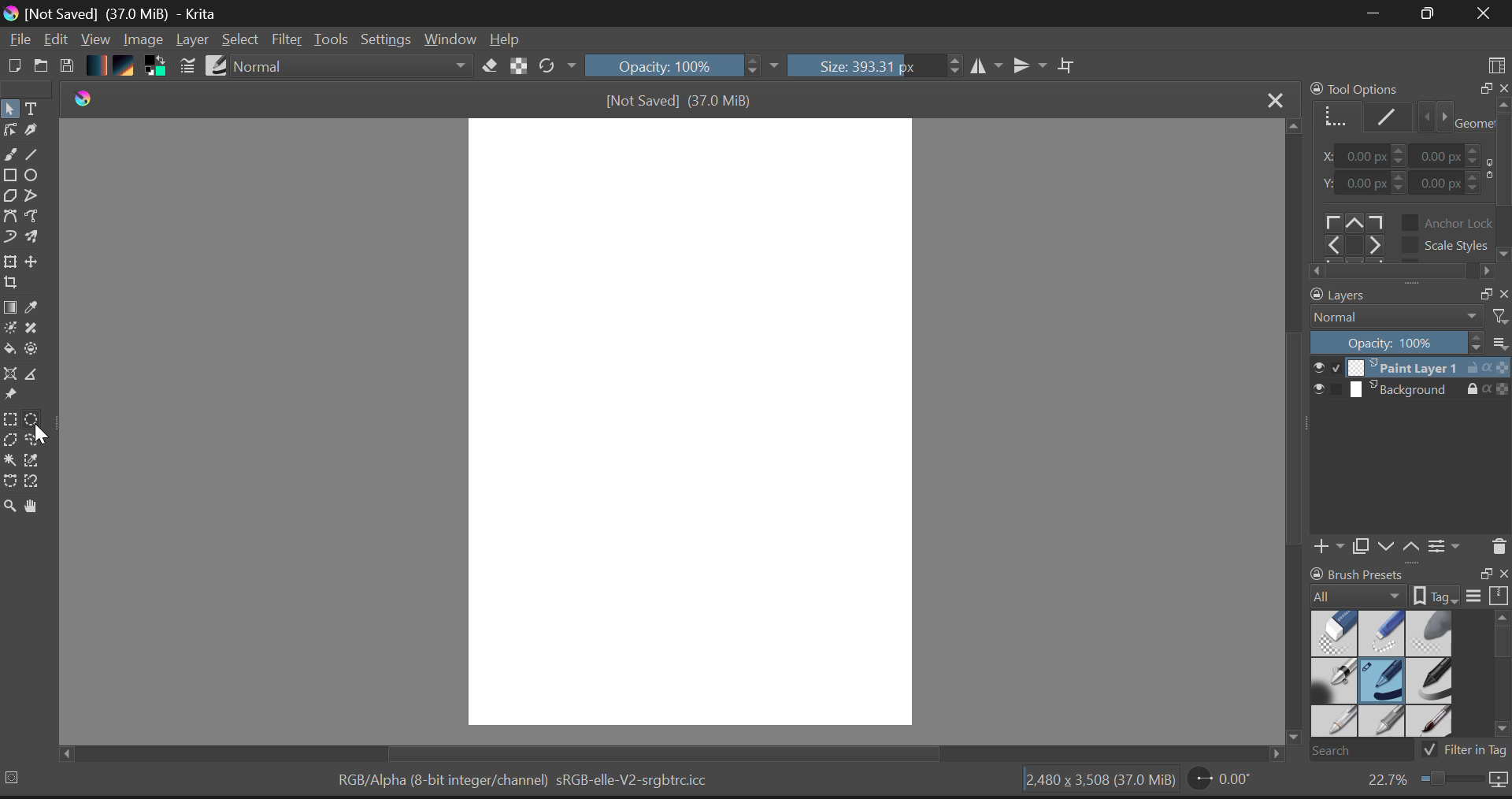 Image resolution: width=1512 pixels, height=799 pixels. What do you see at coordinates (35, 310) in the screenshot?
I see `Eyedropper` at bounding box center [35, 310].